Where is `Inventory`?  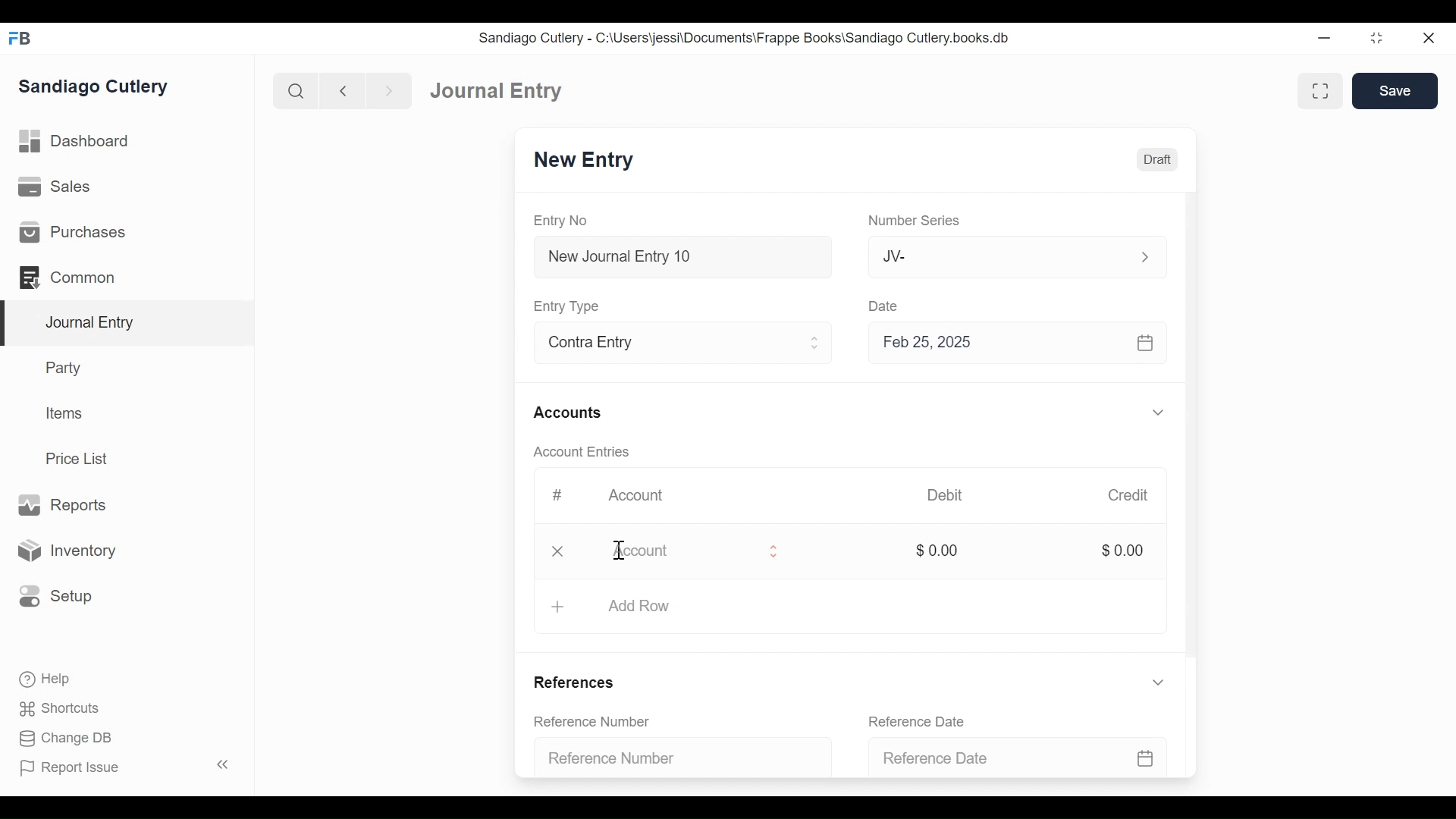
Inventory is located at coordinates (71, 550).